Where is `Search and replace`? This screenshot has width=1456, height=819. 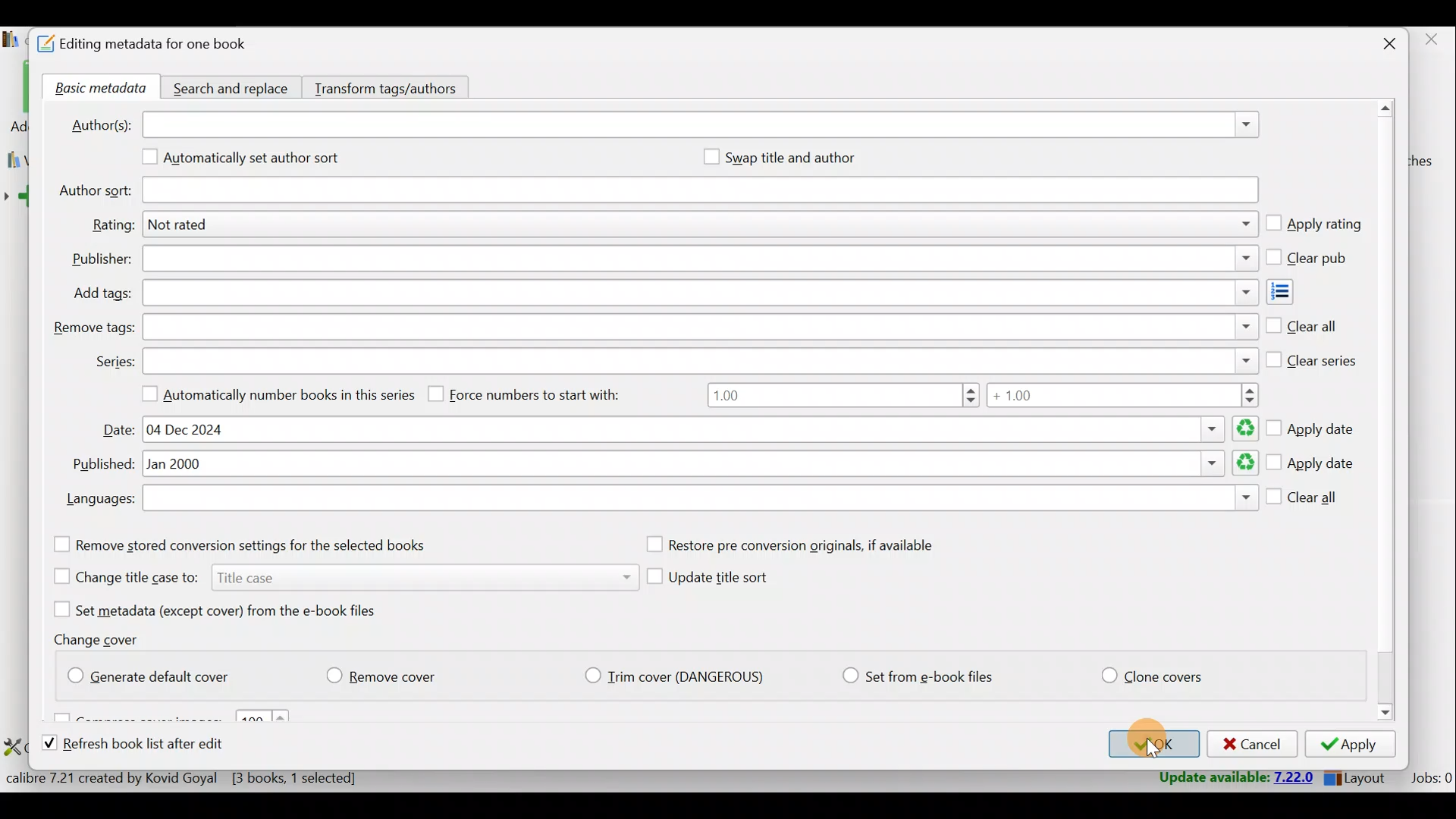
Search and replace is located at coordinates (233, 86).